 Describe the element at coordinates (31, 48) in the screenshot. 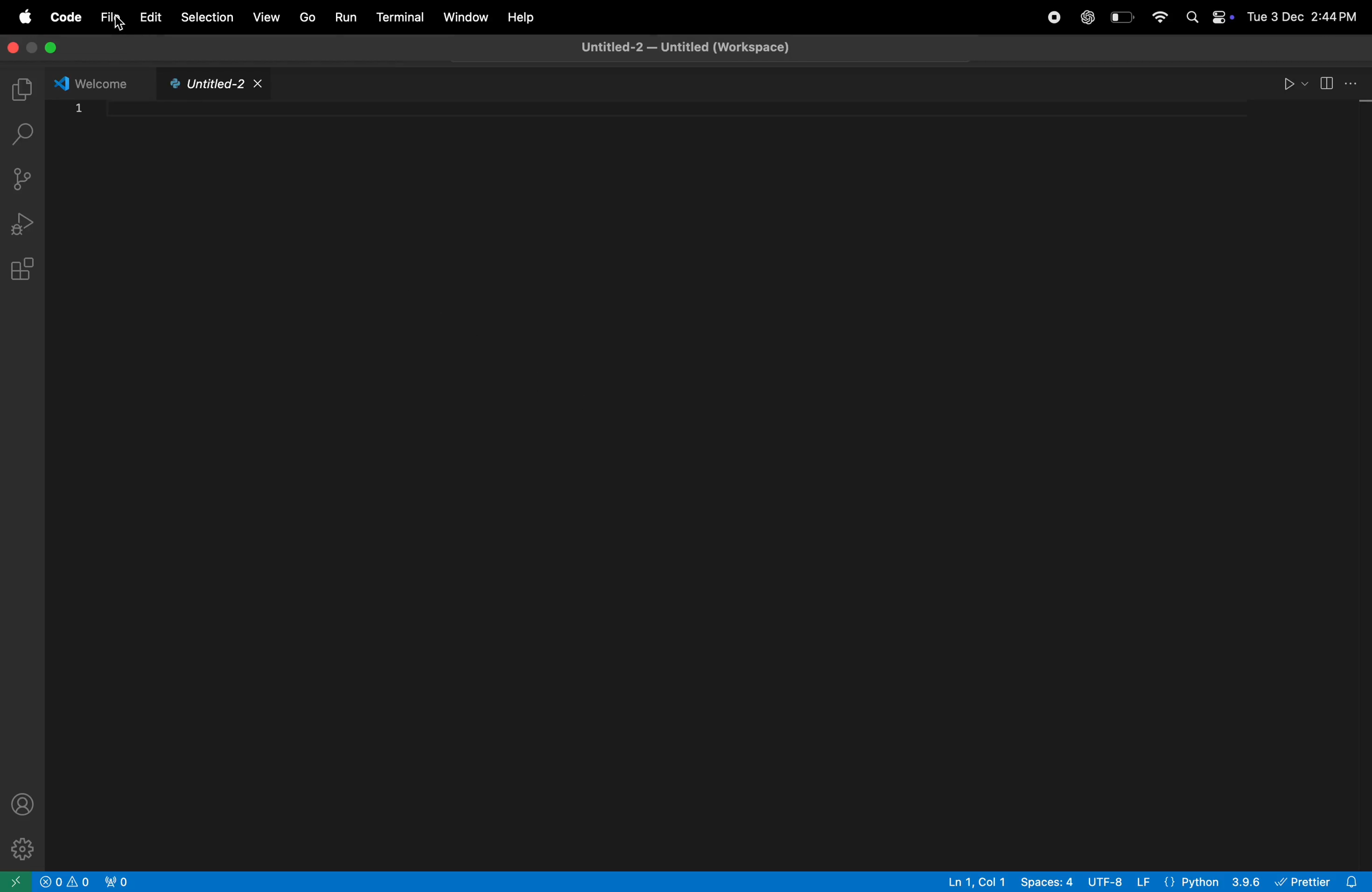

I see `minimize` at that location.